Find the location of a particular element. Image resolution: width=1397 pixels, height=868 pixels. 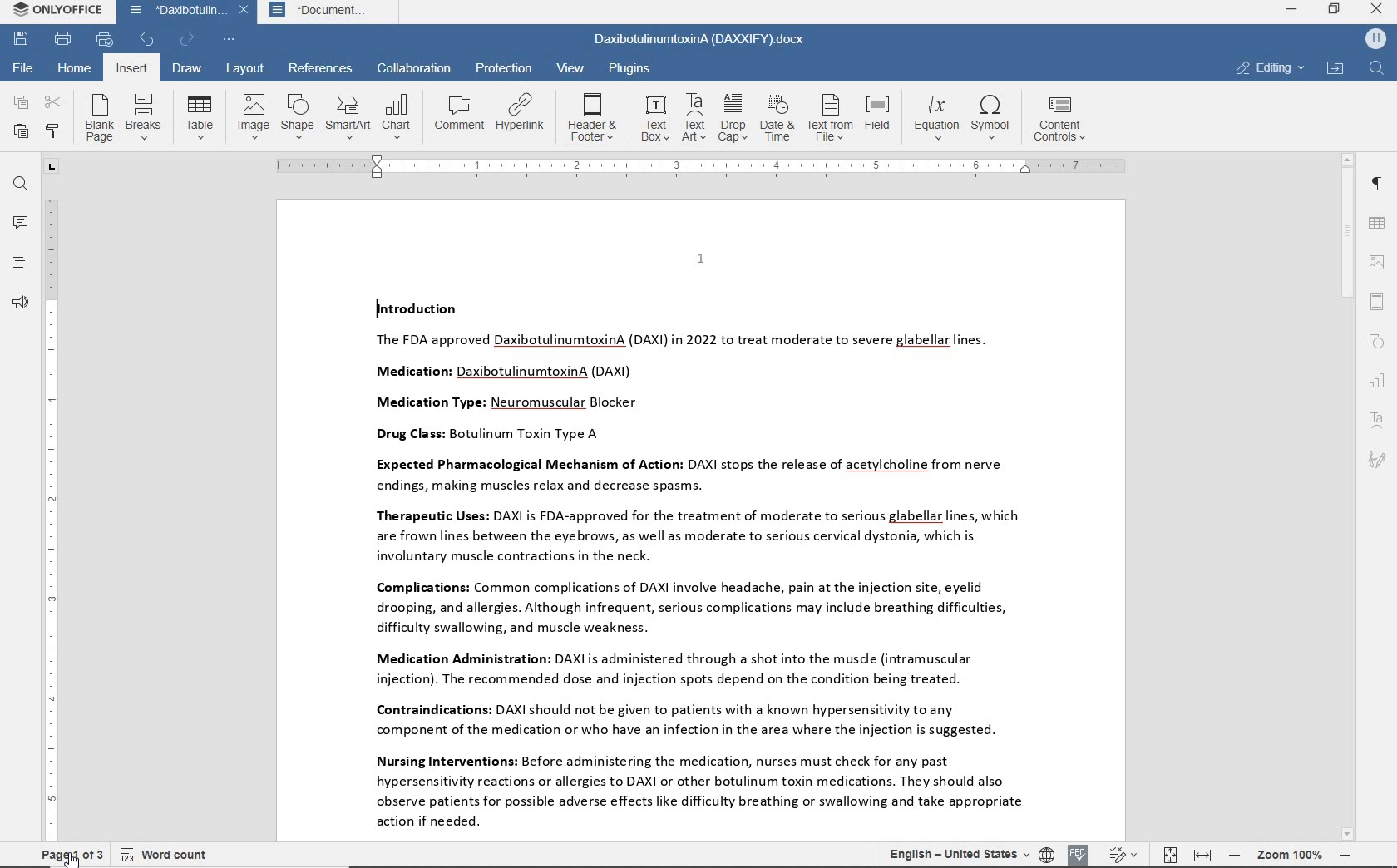

copy is located at coordinates (18, 102).